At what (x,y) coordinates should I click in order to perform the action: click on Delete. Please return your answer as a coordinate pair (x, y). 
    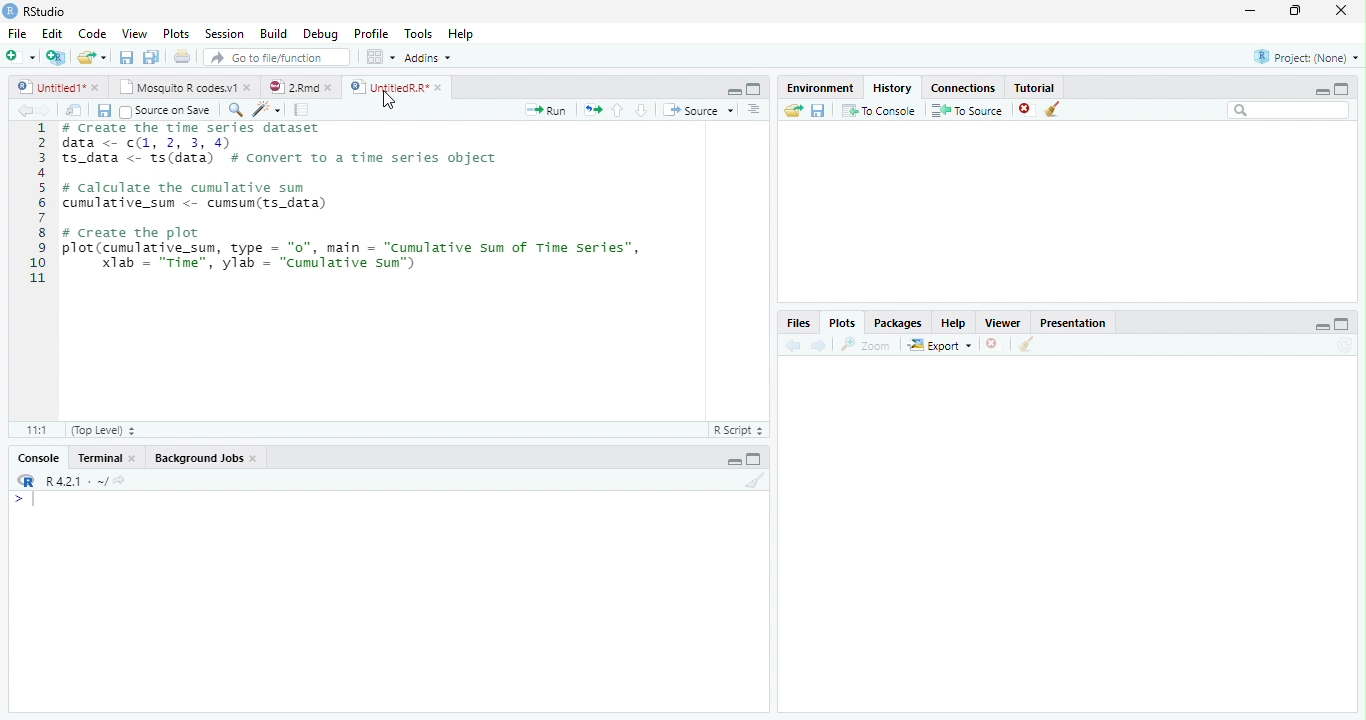
    Looking at the image, I should click on (992, 344).